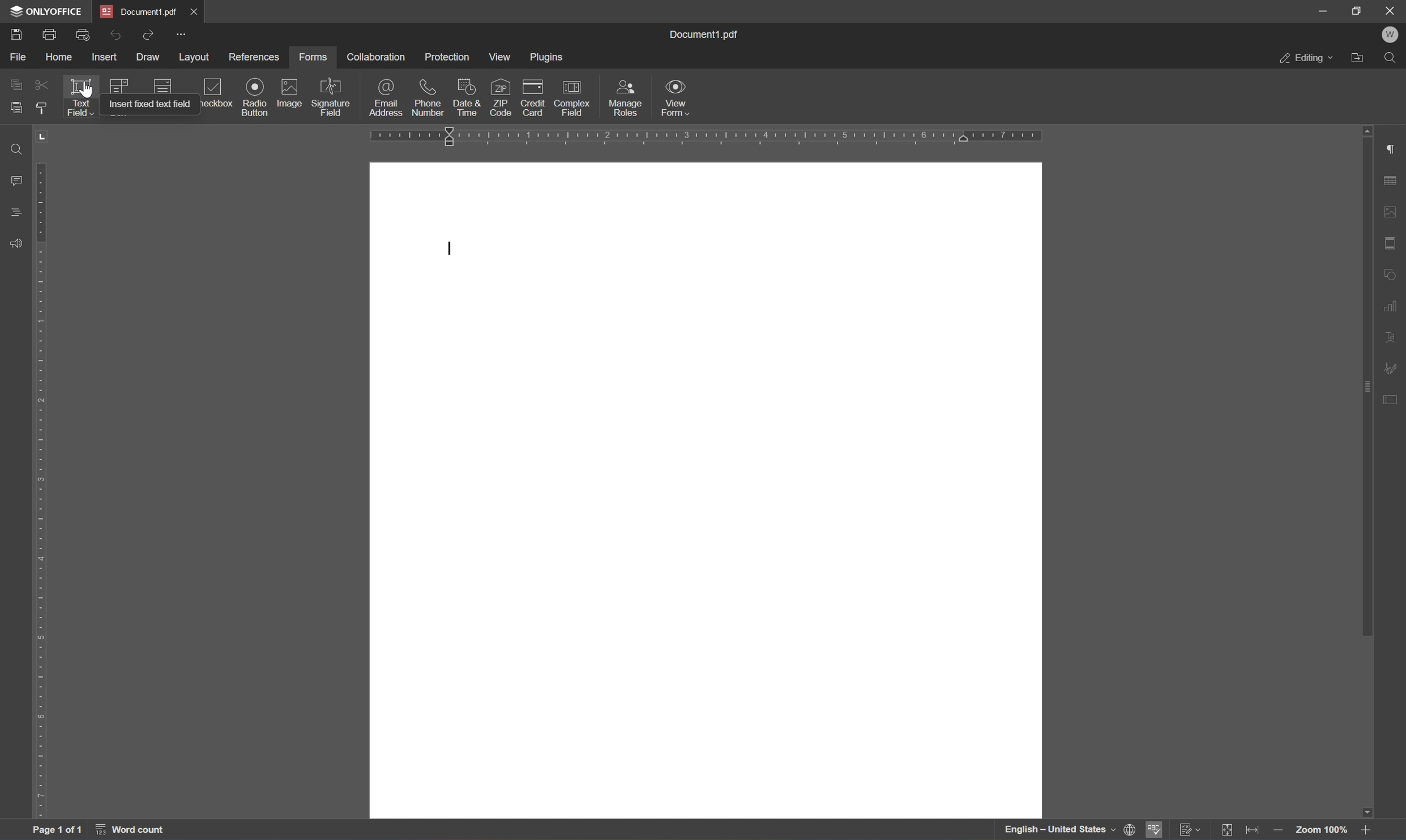 This screenshot has height=840, width=1406. What do you see at coordinates (17, 181) in the screenshot?
I see `comments` at bounding box center [17, 181].